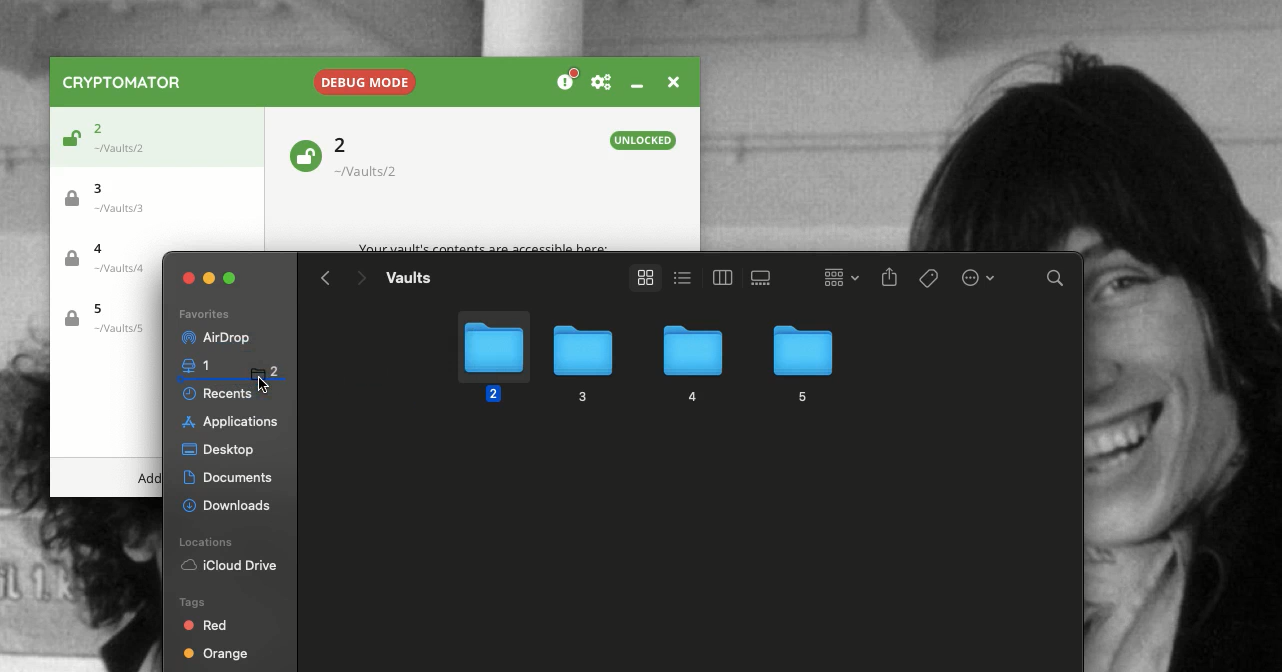 This screenshot has width=1282, height=672. I want to click on Tags, so click(190, 601).